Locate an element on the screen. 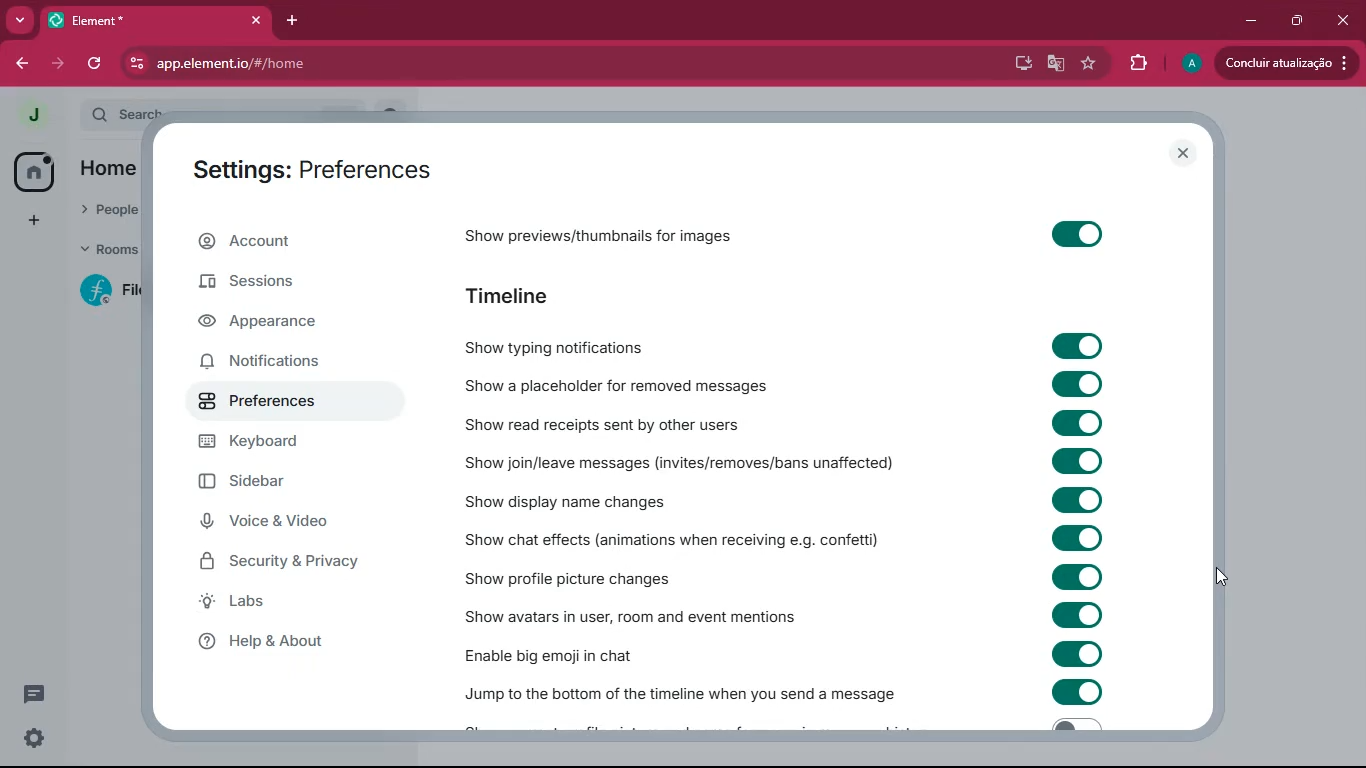 This screenshot has height=768, width=1366. toggle on  is located at coordinates (1076, 385).